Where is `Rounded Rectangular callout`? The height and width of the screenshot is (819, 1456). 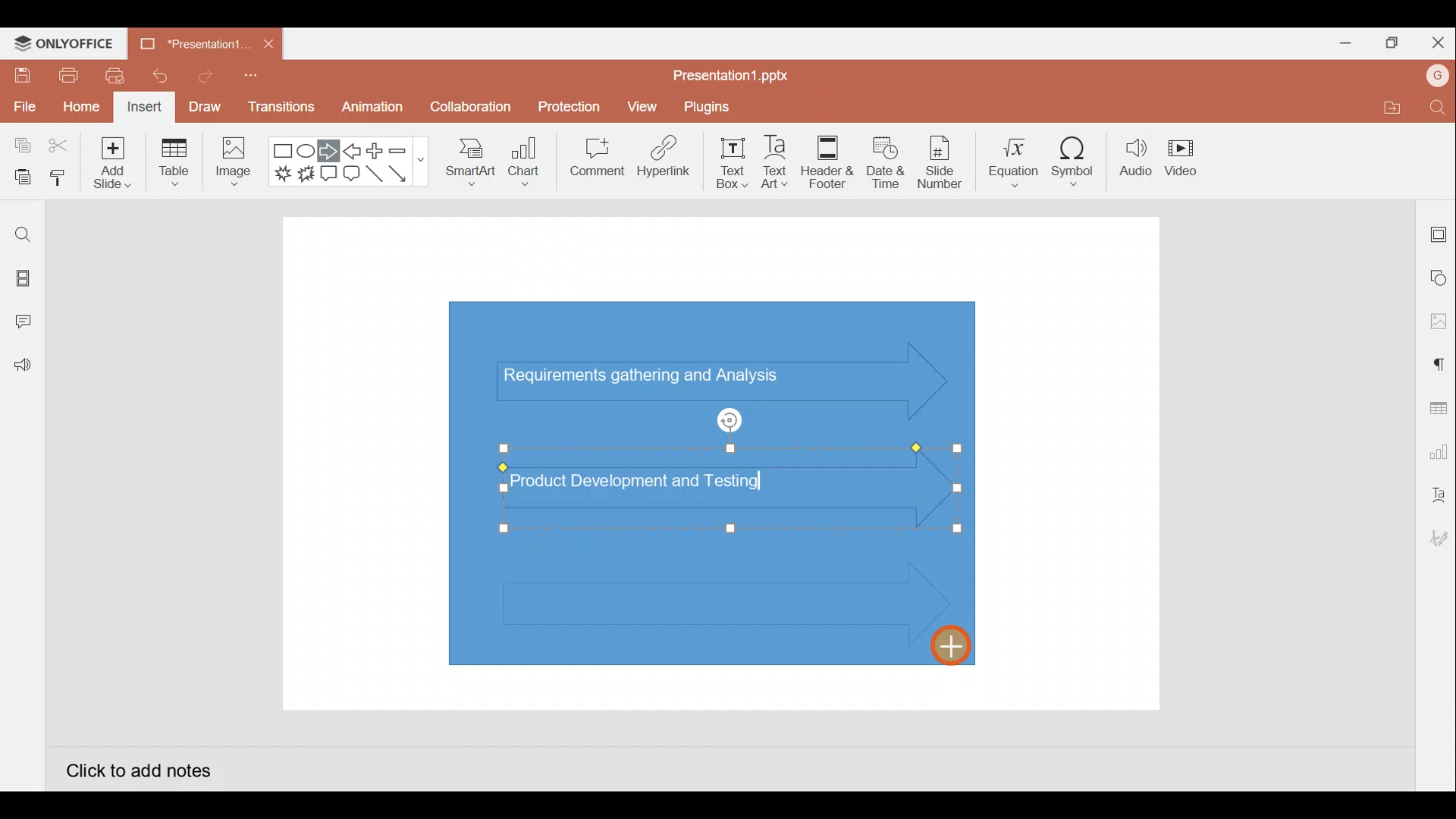 Rounded Rectangular callout is located at coordinates (351, 171).